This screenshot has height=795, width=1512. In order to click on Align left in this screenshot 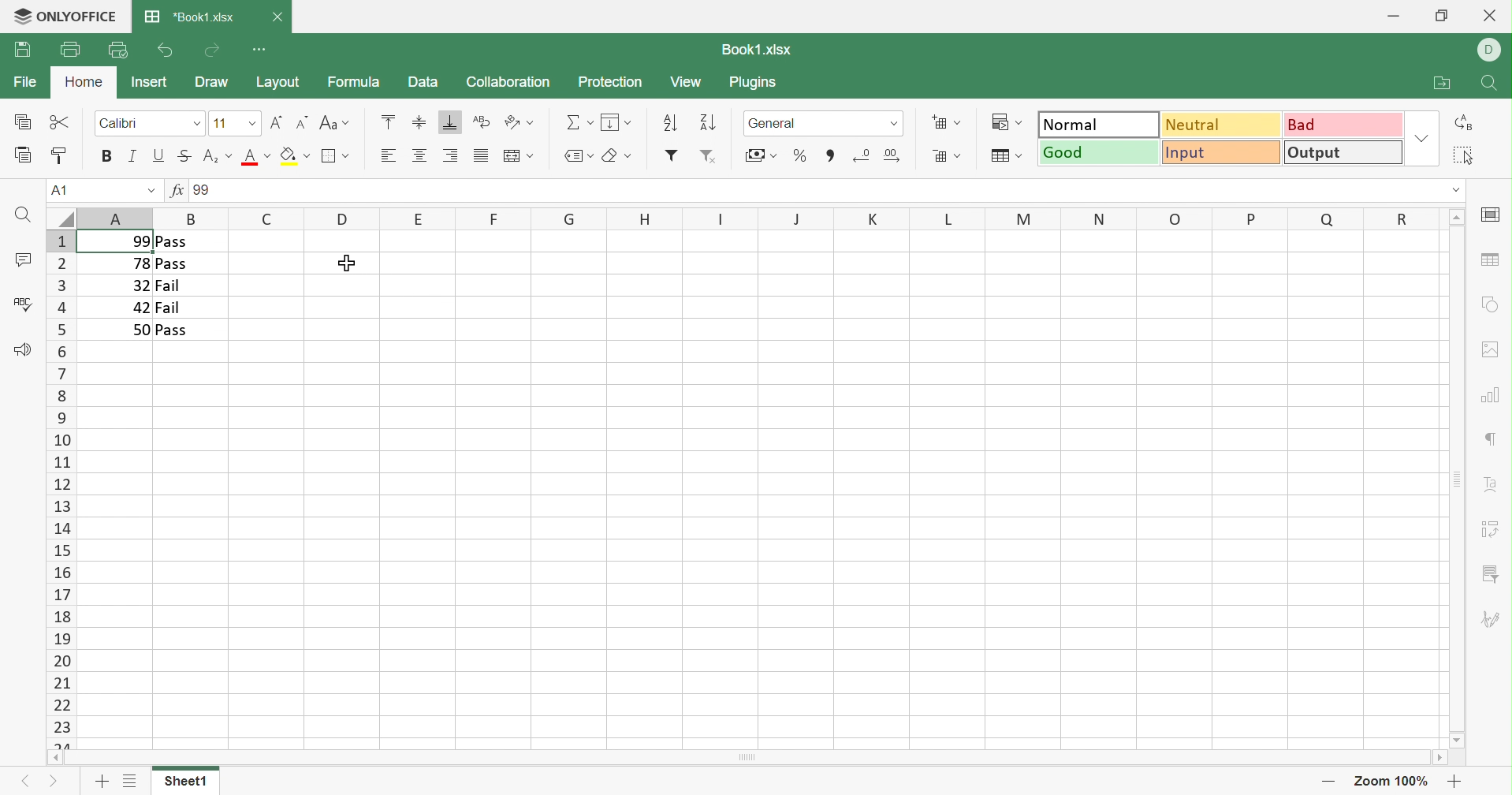, I will do `click(386, 156)`.